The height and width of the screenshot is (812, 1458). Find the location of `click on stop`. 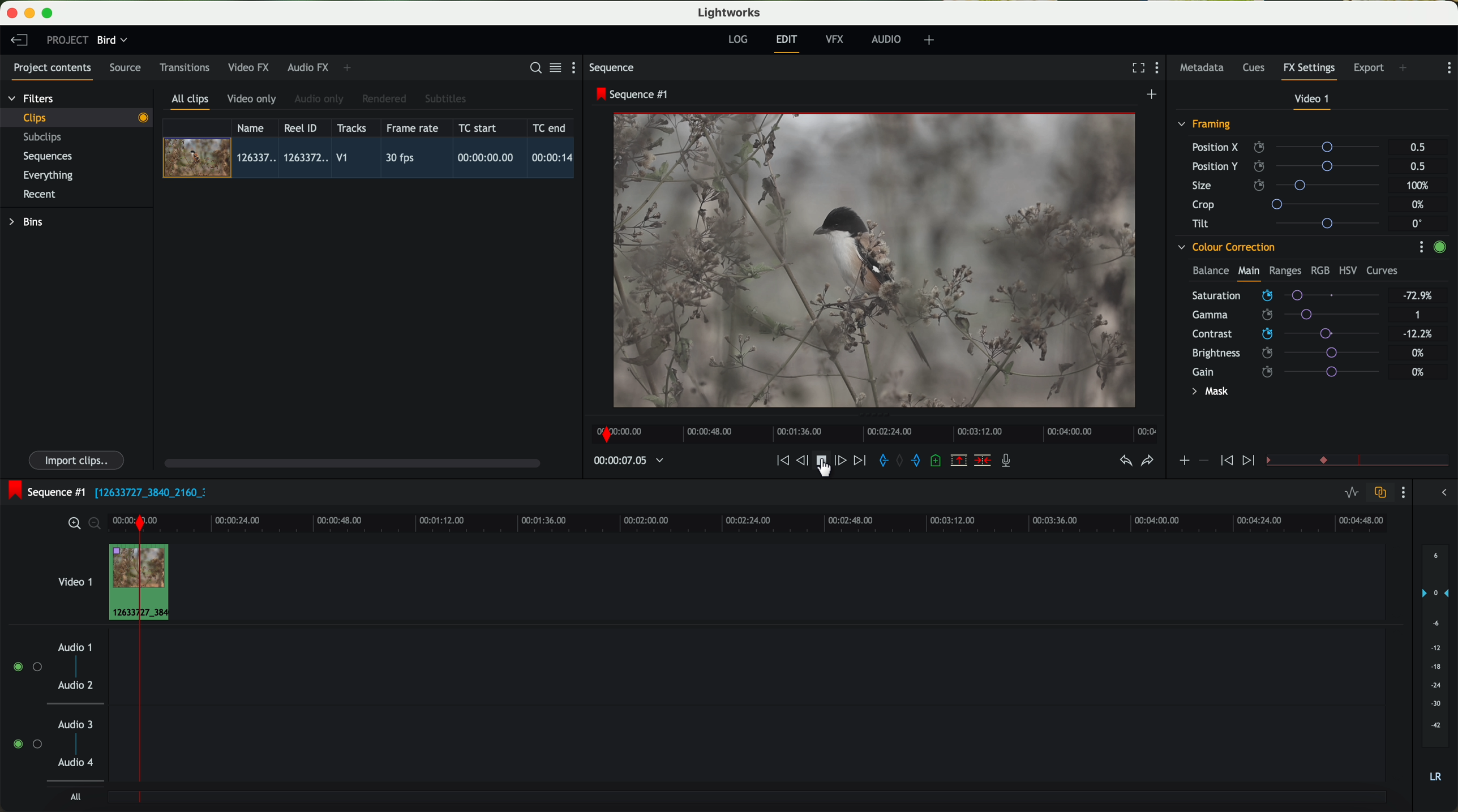

click on stop is located at coordinates (824, 463).